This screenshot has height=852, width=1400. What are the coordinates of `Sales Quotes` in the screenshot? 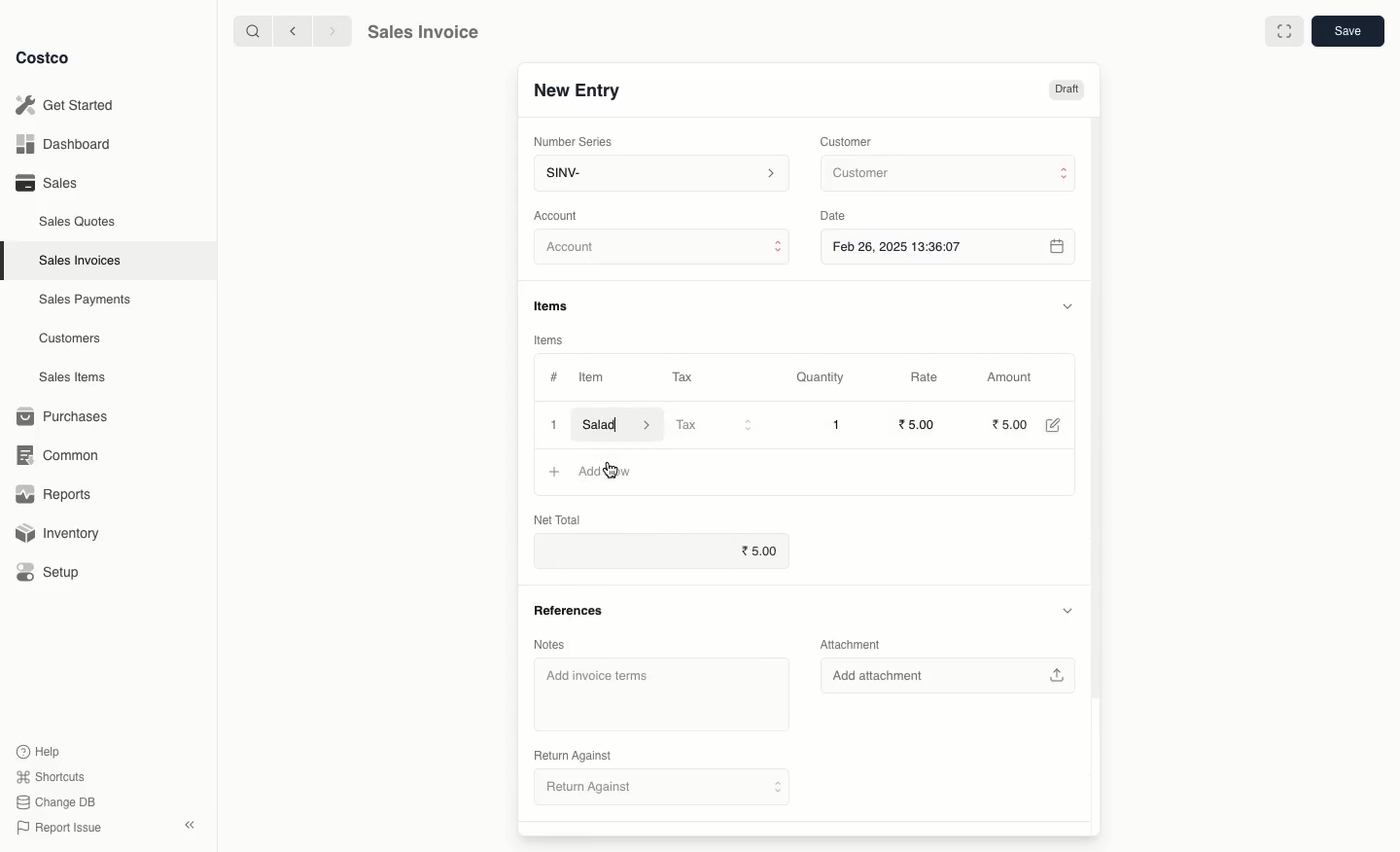 It's located at (80, 221).